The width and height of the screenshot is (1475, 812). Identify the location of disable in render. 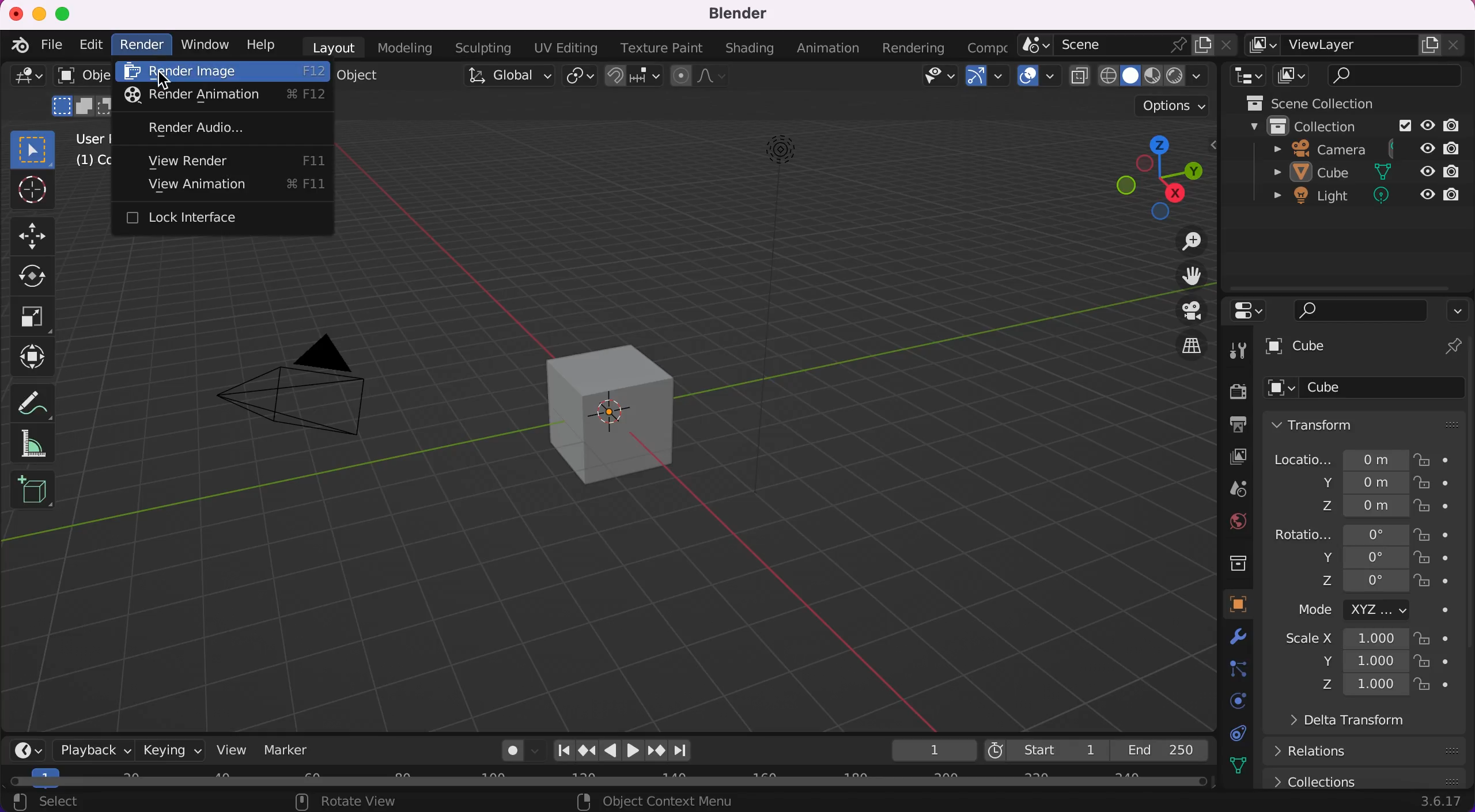
(1458, 147).